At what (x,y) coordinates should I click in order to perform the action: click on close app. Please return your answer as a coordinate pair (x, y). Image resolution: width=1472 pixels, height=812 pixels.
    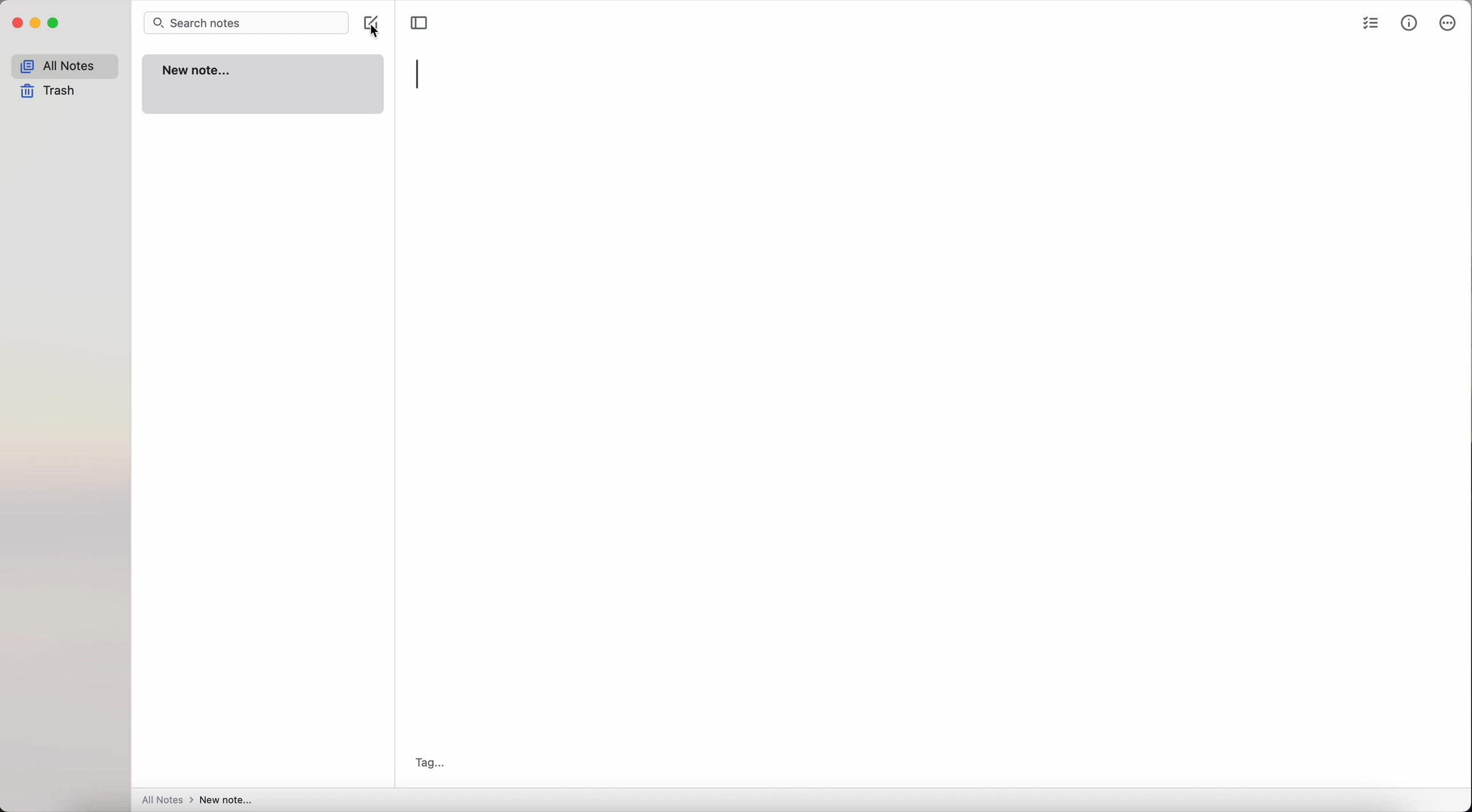
    Looking at the image, I should click on (18, 23).